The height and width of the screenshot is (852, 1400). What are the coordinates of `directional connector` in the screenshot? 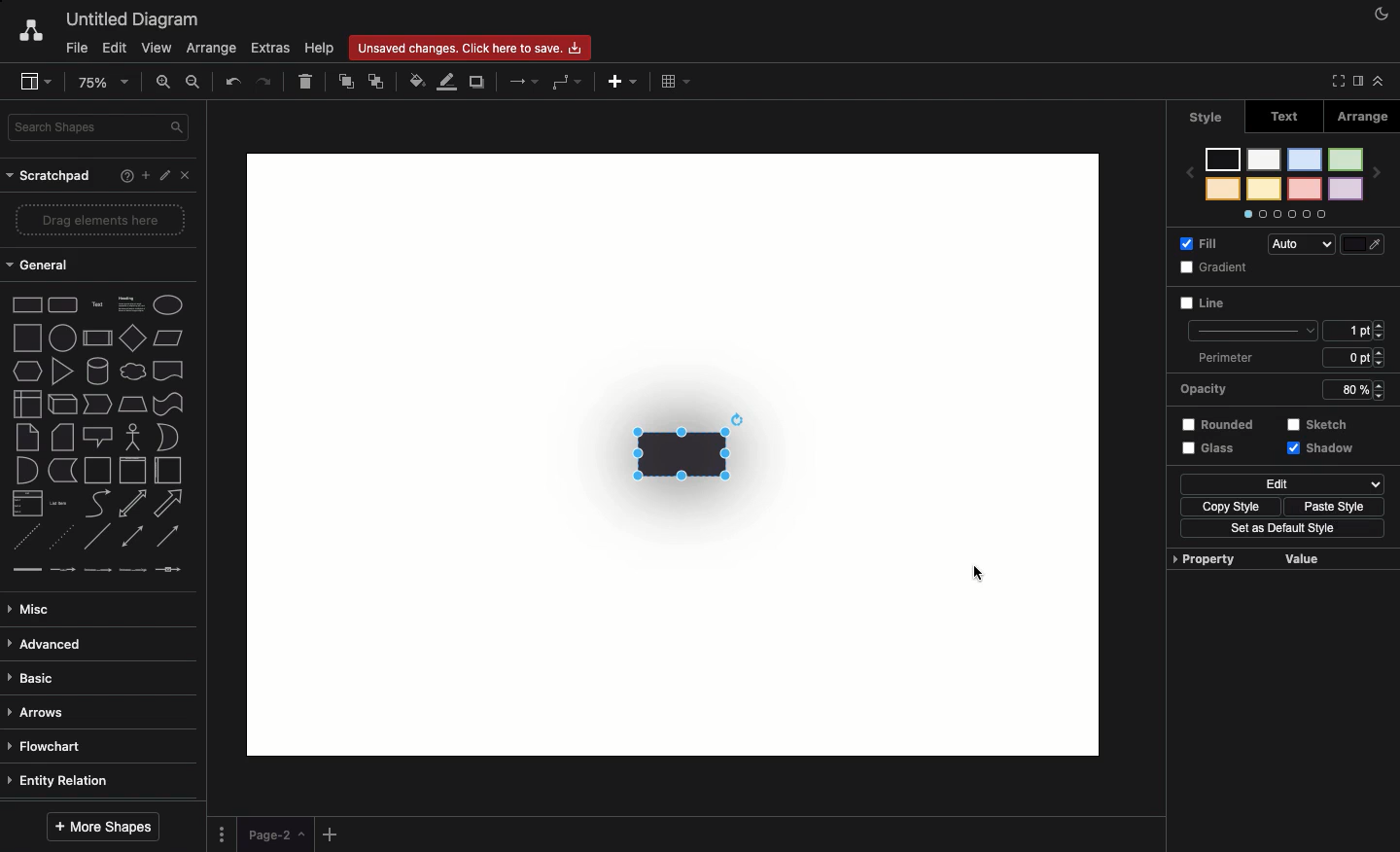 It's located at (168, 535).